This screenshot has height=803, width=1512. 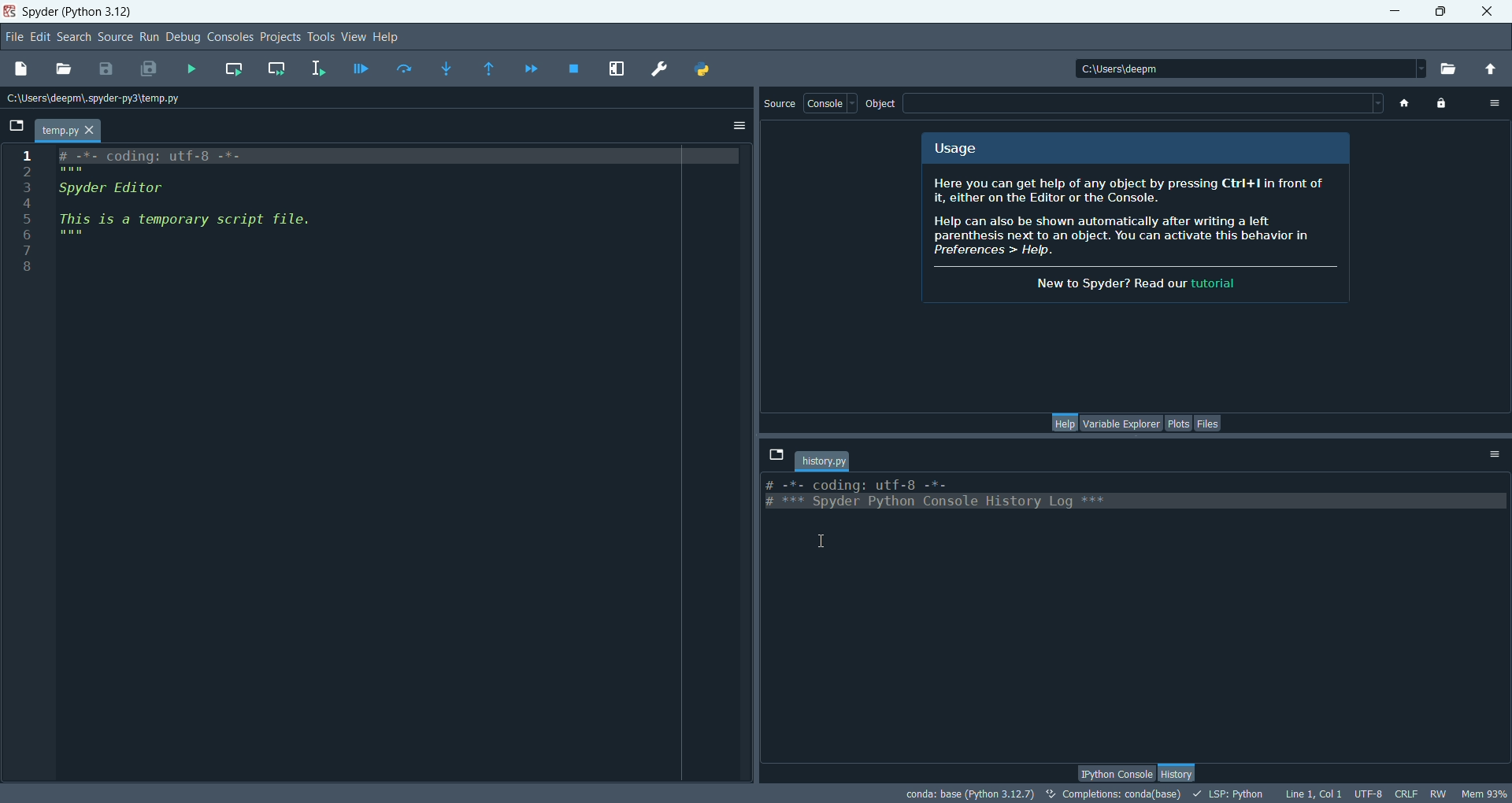 What do you see at coordinates (533, 68) in the screenshot?
I see `continue execution until next breakpoint` at bounding box center [533, 68].